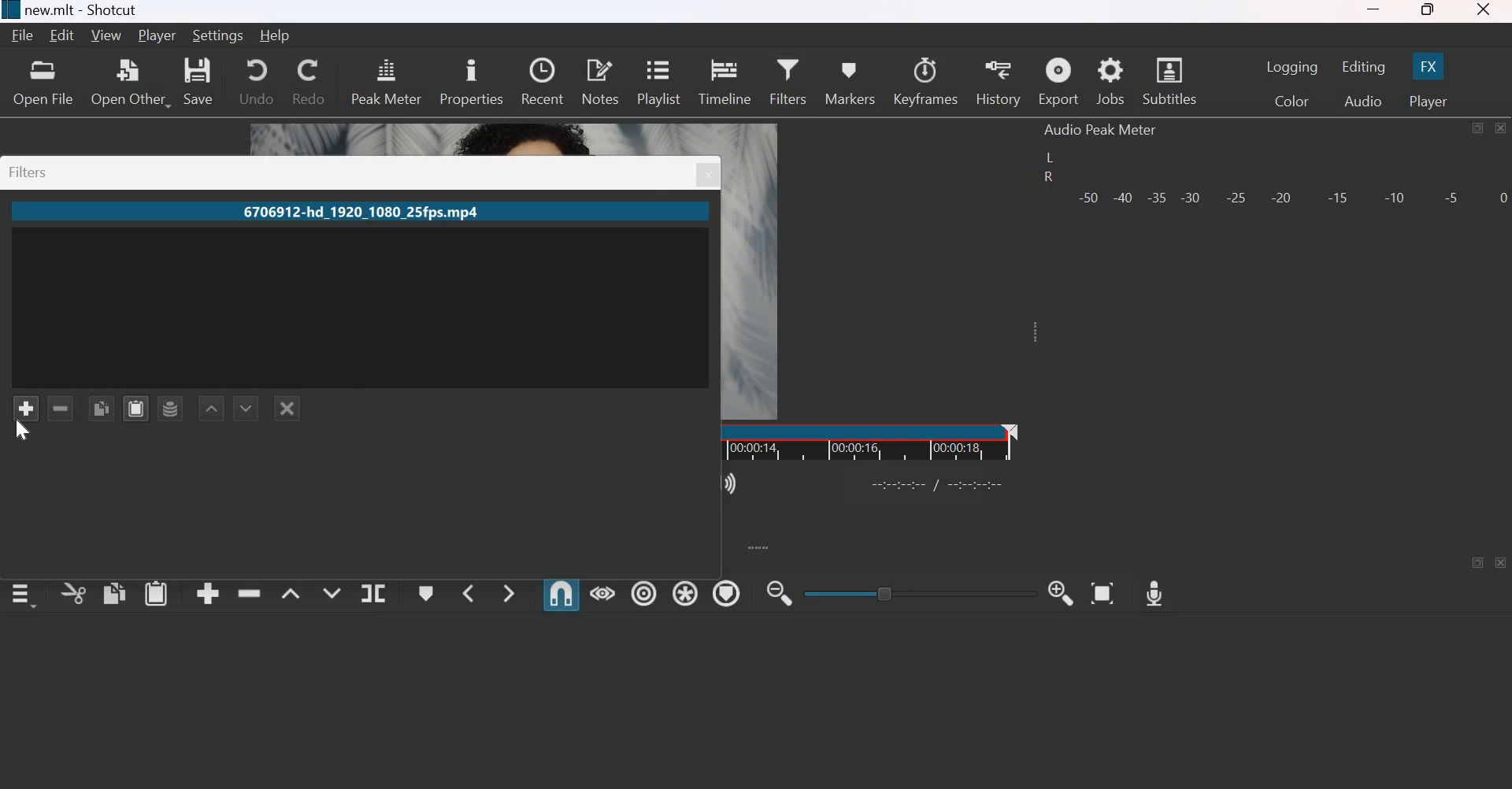  Describe the element at coordinates (209, 593) in the screenshot. I see `append` at that location.